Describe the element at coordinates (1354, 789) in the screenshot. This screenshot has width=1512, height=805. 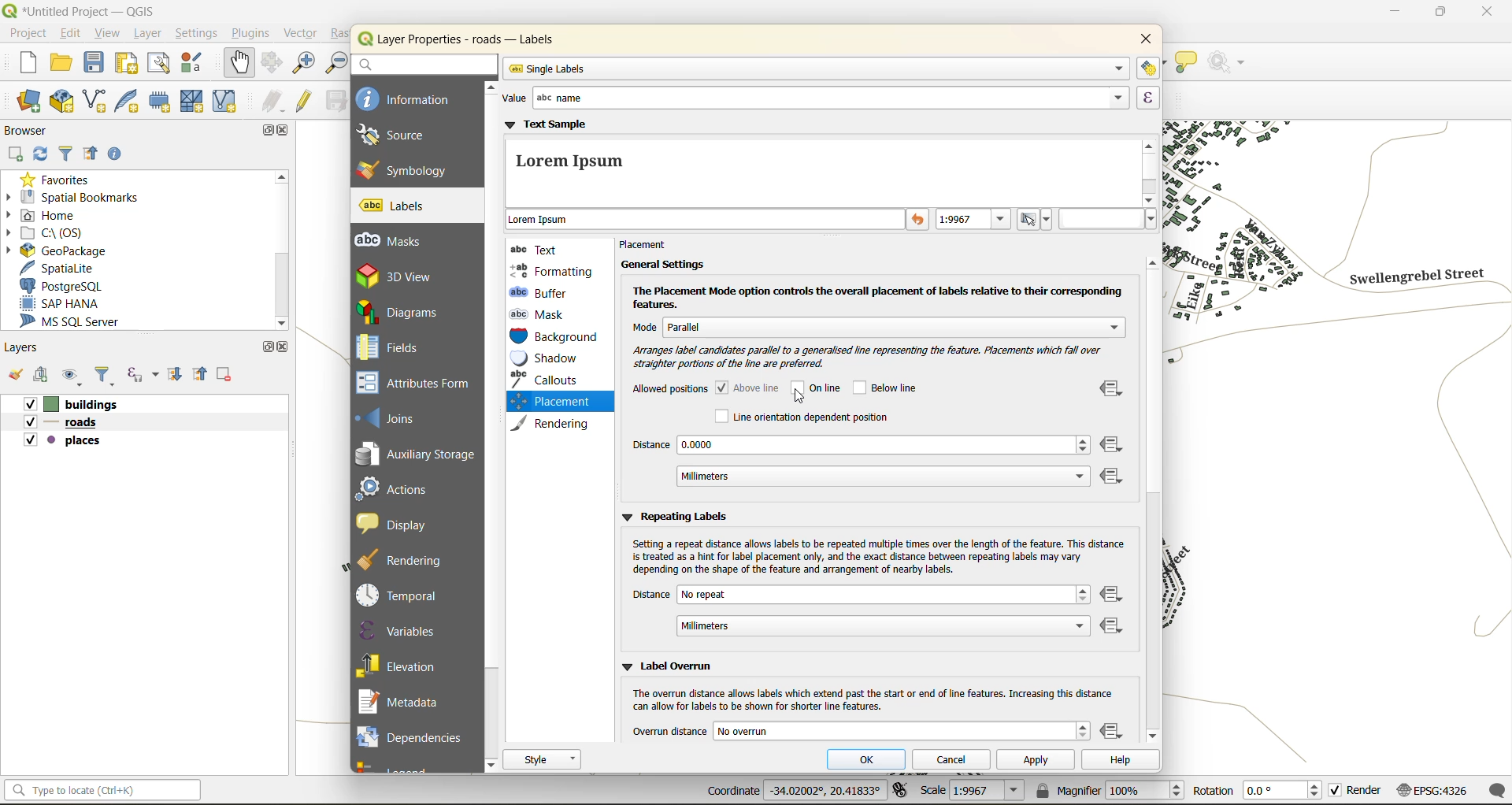
I see `render` at that location.